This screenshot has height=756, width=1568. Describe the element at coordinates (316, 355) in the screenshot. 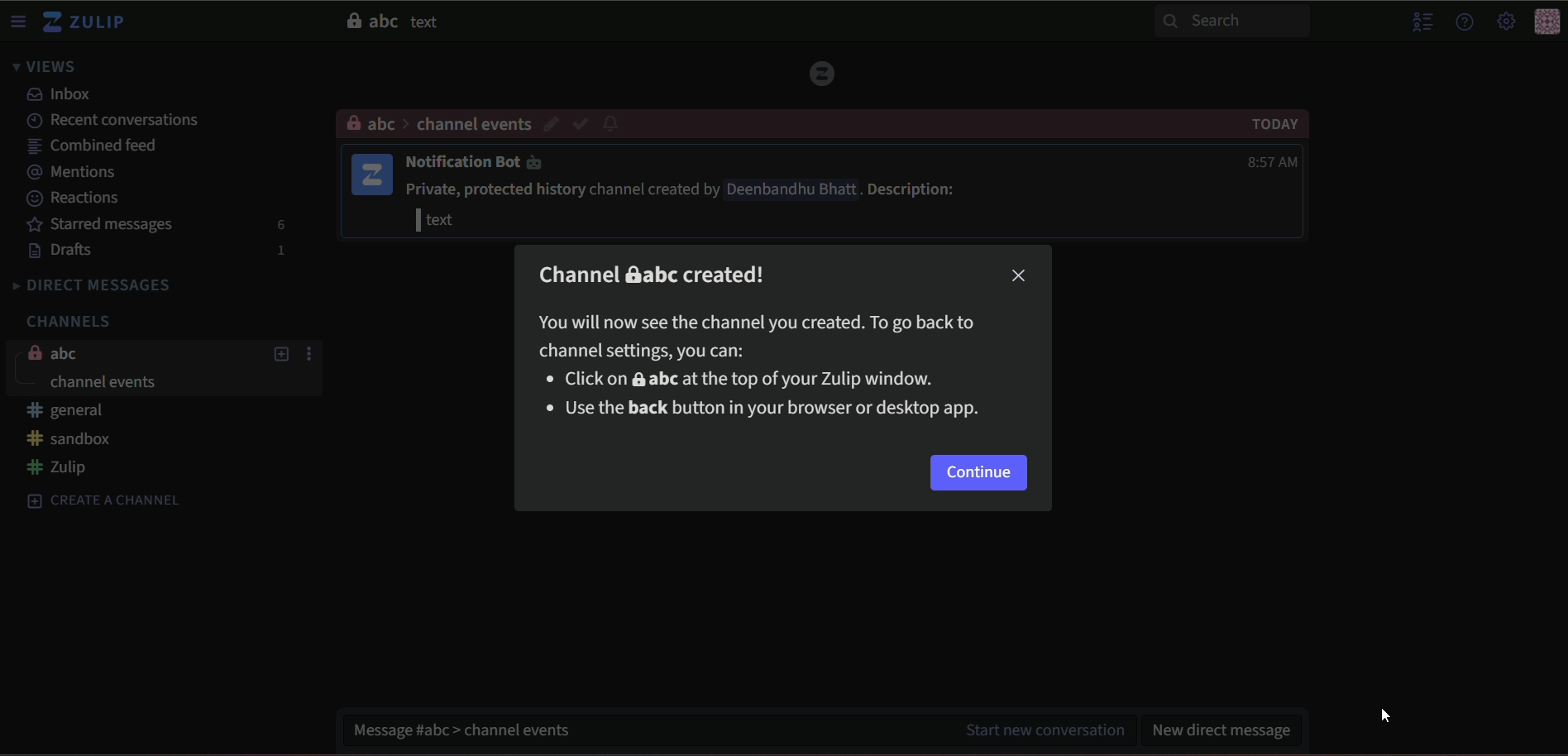

I see `options` at that location.